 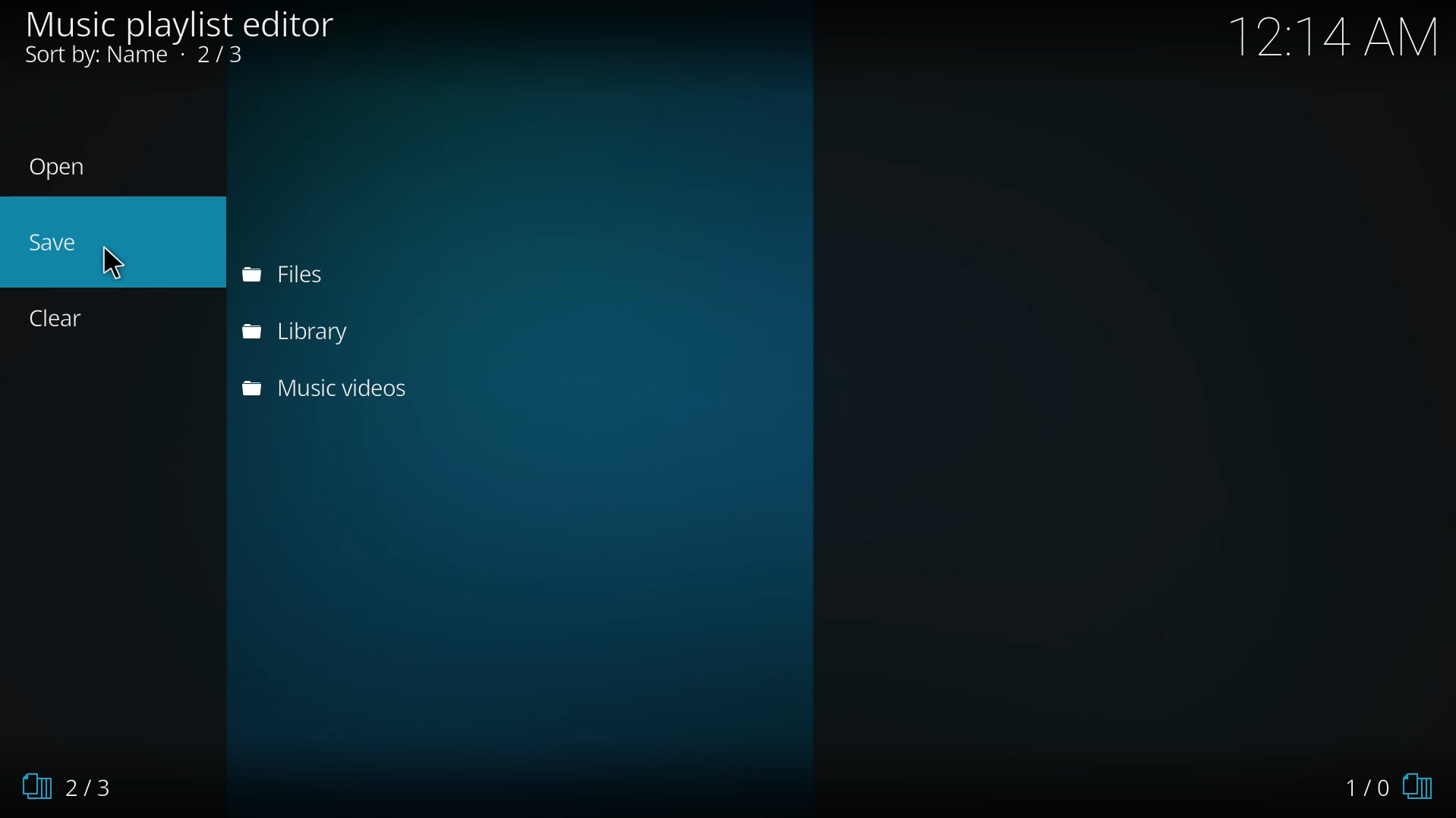 What do you see at coordinates (304, 331) in the screenshot?
I see `library` at bounding box center [304, 331].